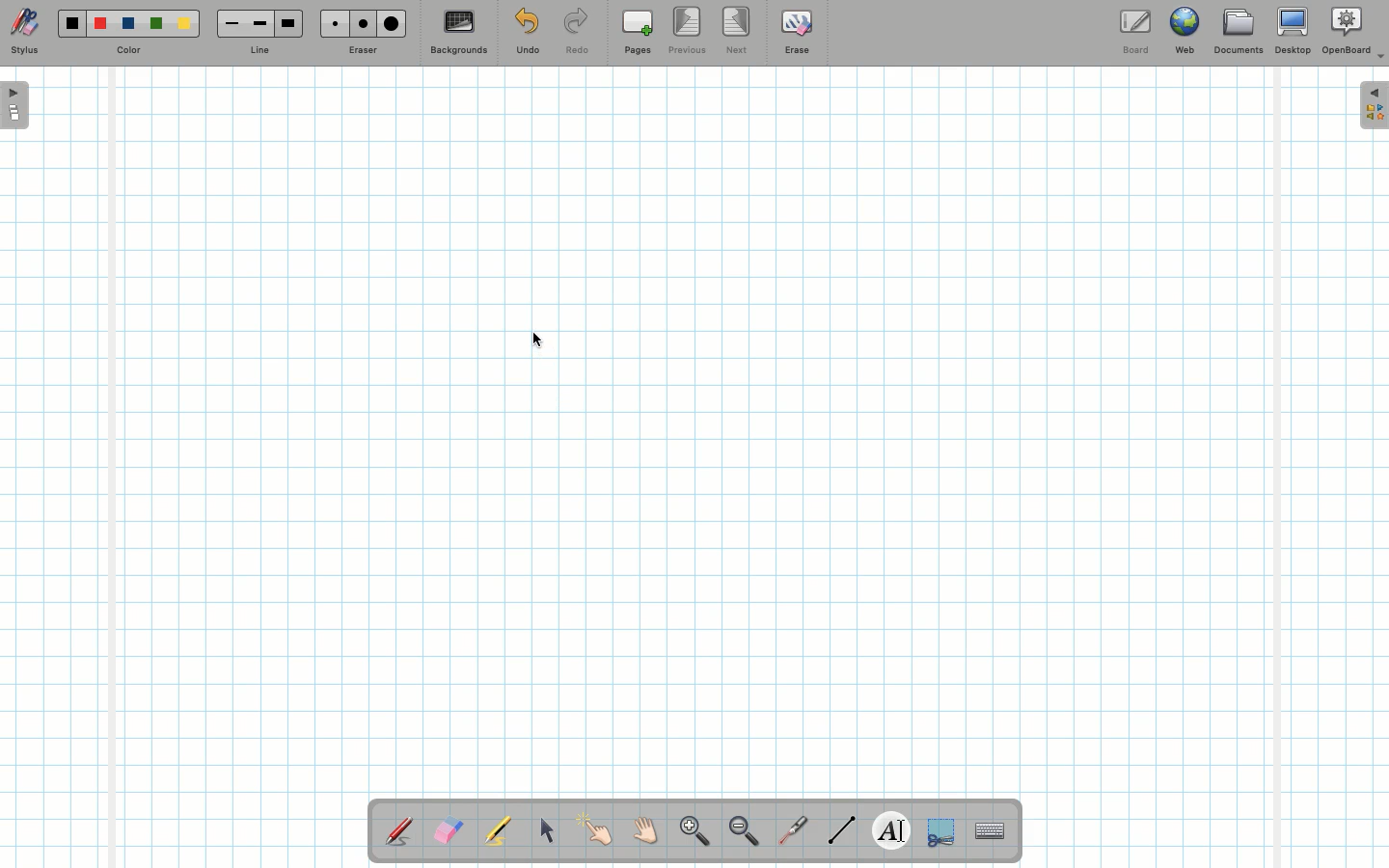  Describe the element at coordinates (229, 24) in the screenshot. I see `Small line` at that location.